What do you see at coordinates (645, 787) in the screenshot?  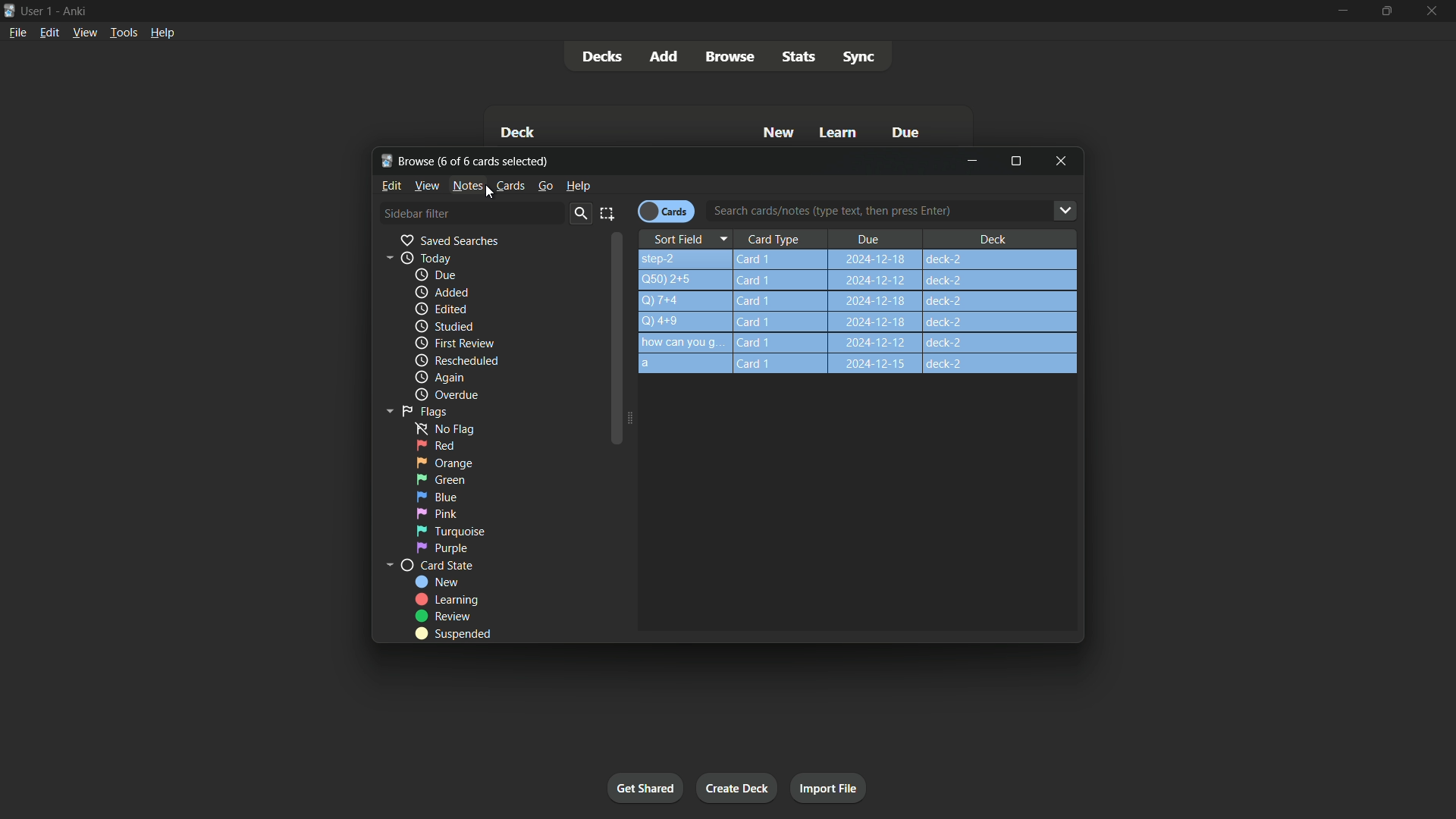 I see `Get started` at bounding box center [645, 787].